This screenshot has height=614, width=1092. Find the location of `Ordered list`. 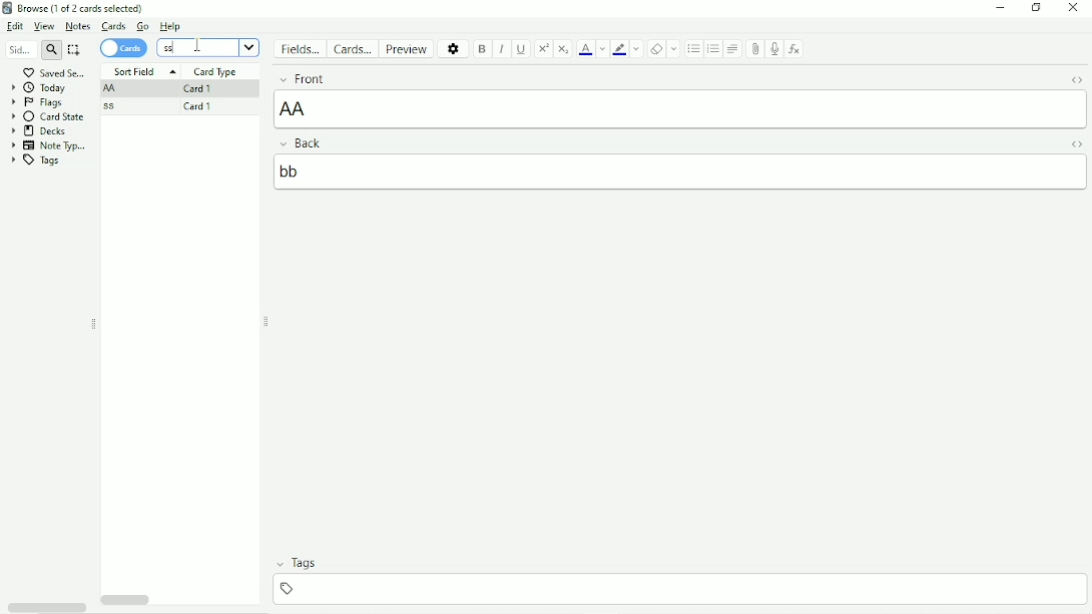

Ordered list is located at coordinates (713, 50).